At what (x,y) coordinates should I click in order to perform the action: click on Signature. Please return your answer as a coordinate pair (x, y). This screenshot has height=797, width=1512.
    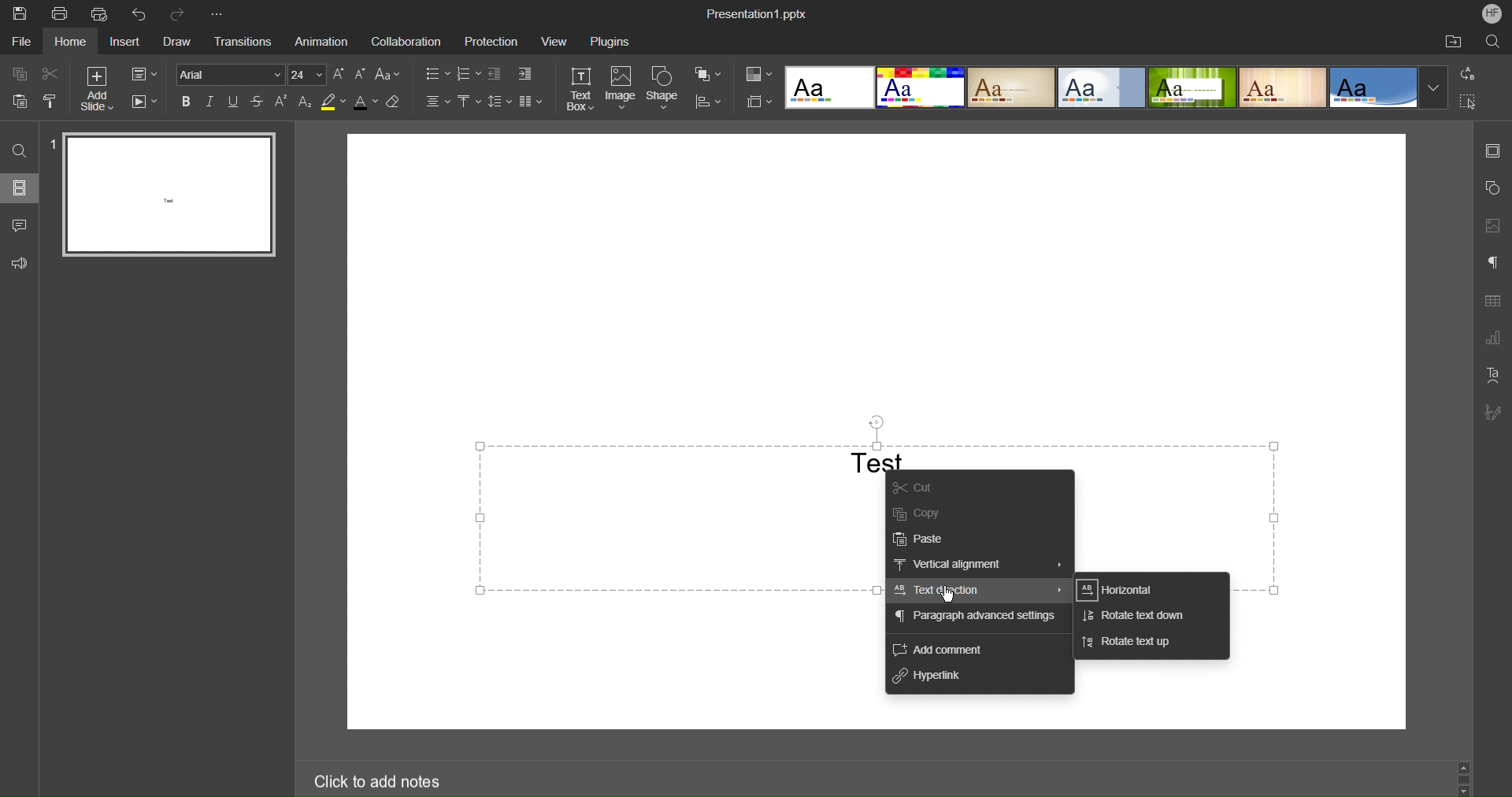
    Looking at the image, I should click on (1493, 413).